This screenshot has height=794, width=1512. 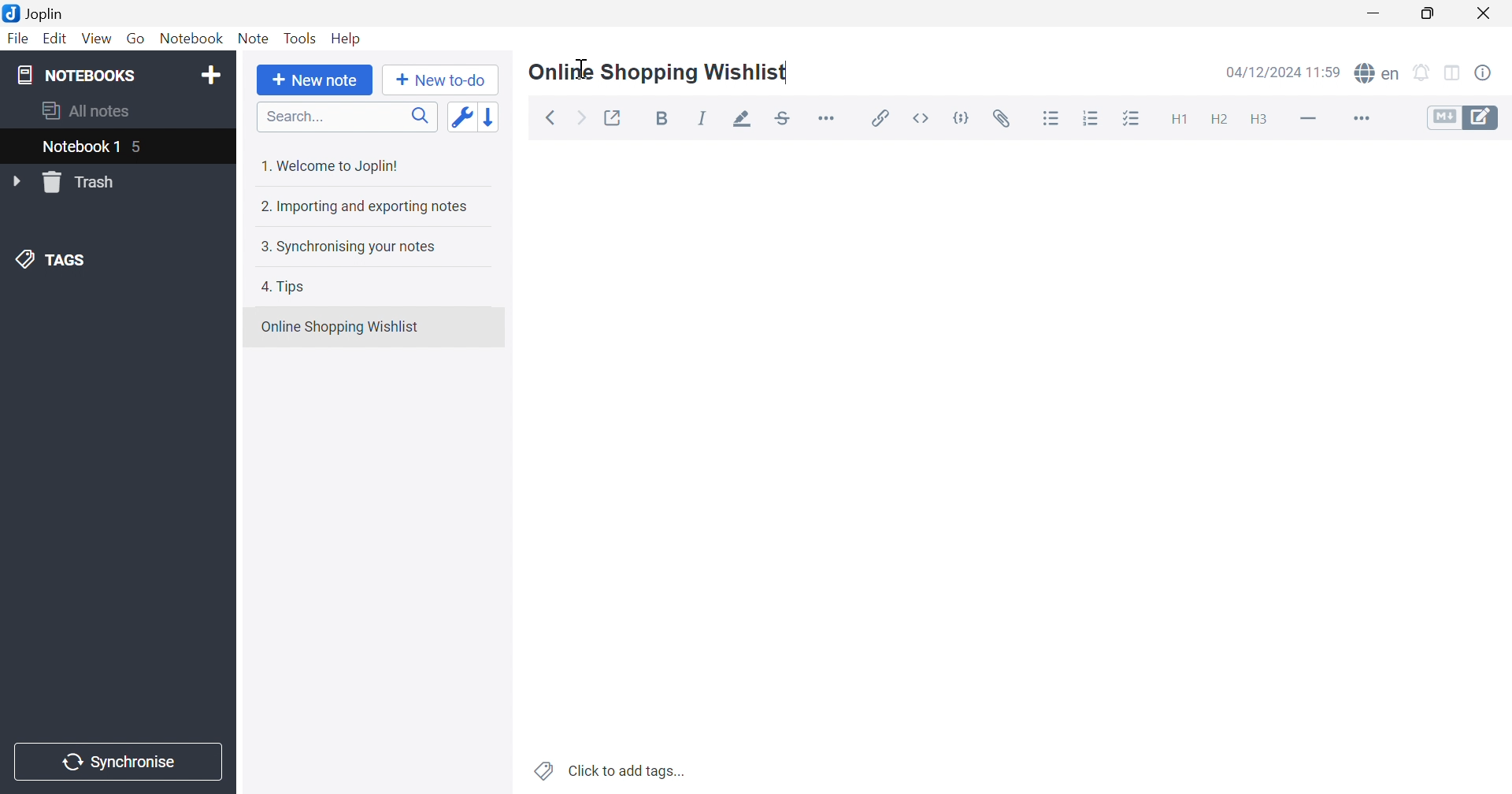 What do you see at coordinates (55, 262) in the screenshot?
I see `TAGS` at bounding box center [55, 262].